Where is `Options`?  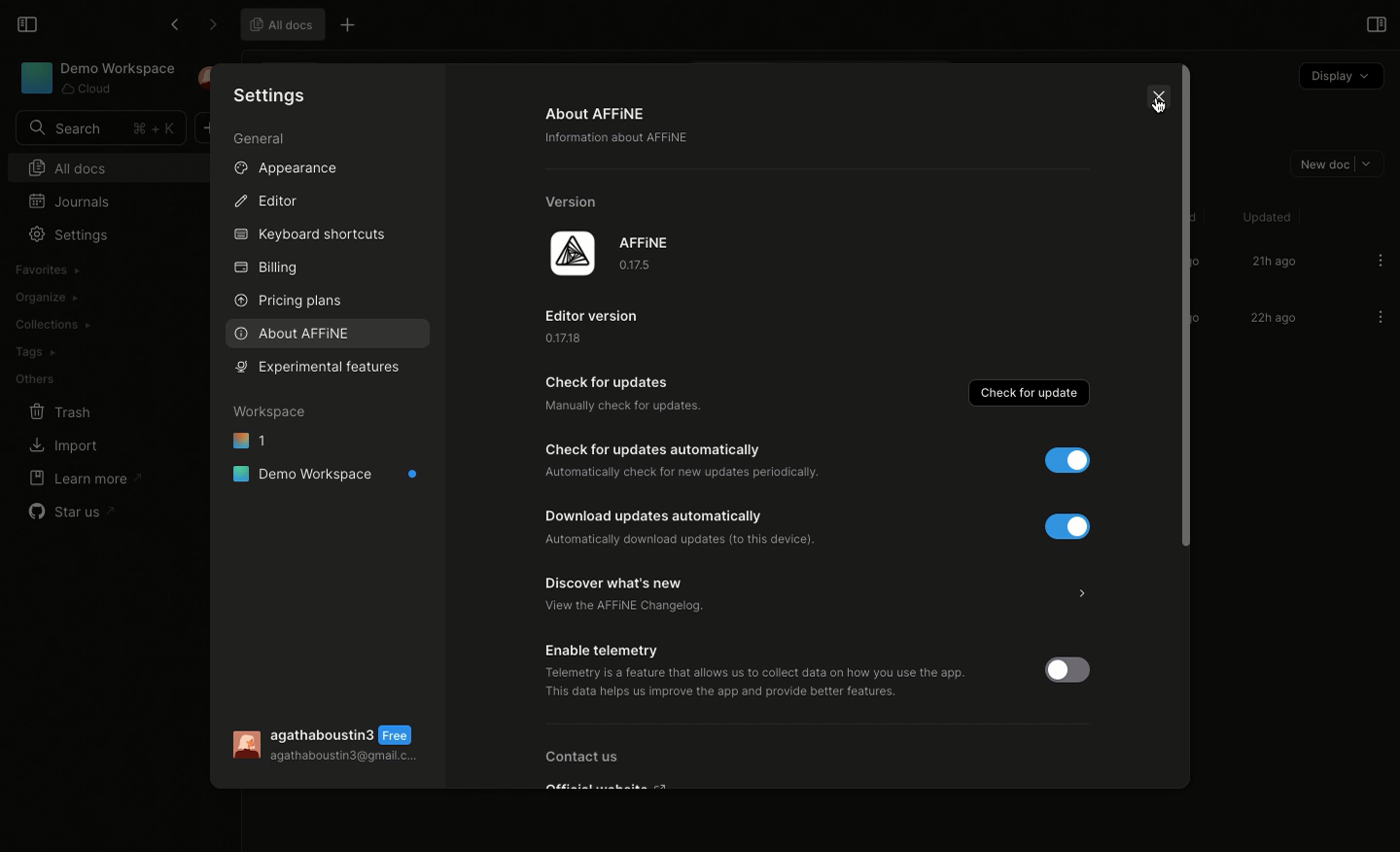 Options is located at coordinates (1380, 318).